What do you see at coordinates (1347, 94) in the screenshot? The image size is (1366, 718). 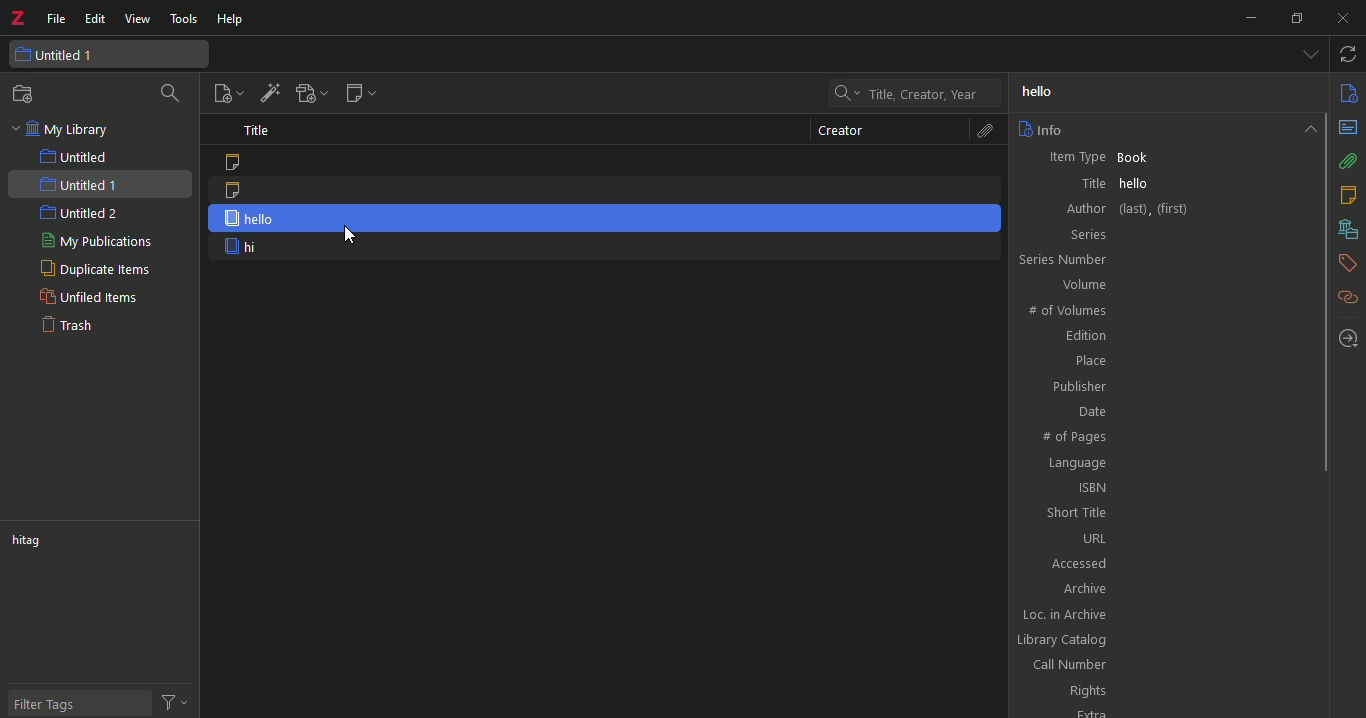 I see `info` at bounding box center [1347, 94].